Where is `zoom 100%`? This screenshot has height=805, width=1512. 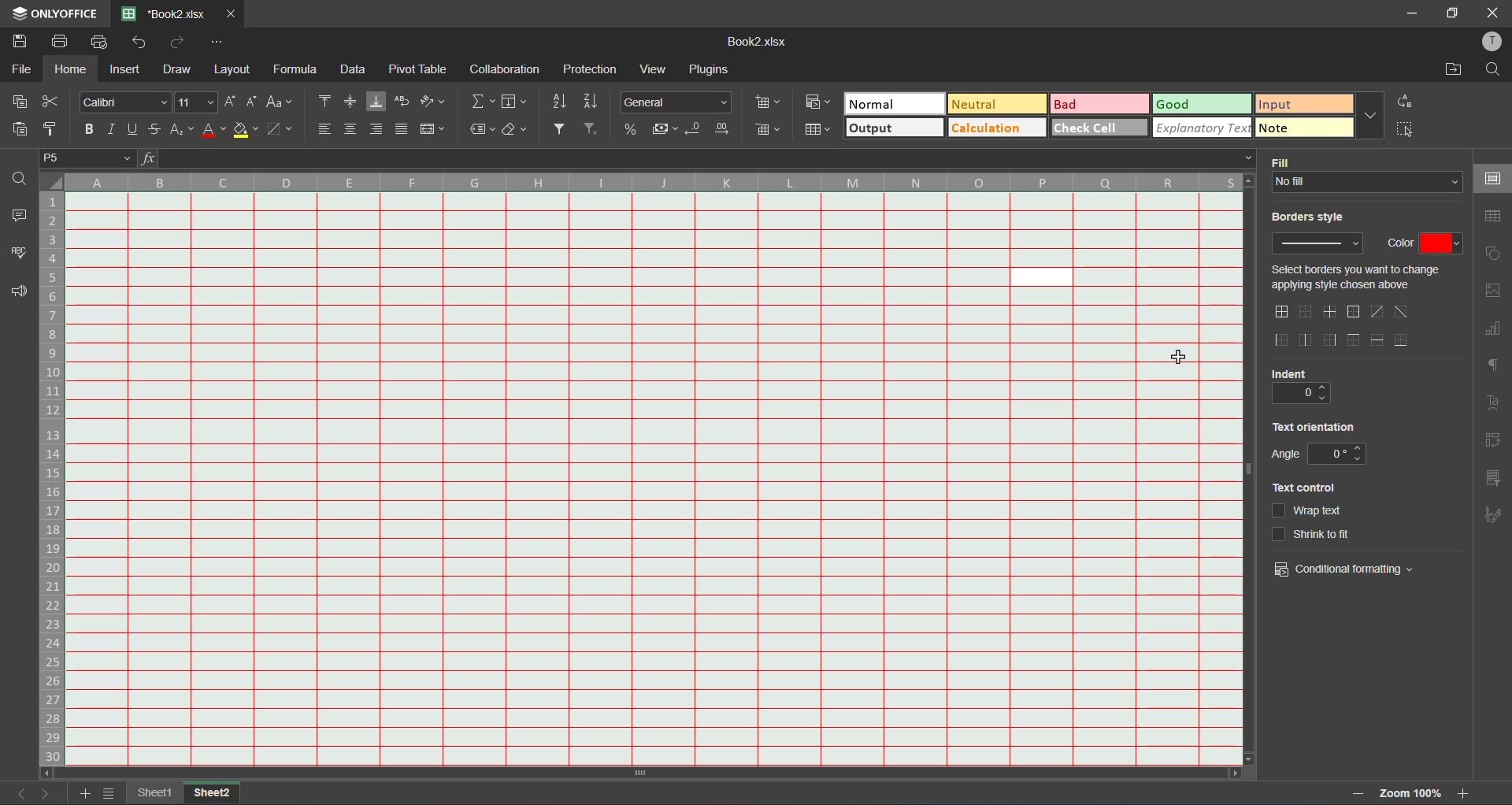 zoom 100% is located at coordinates (1410, 793).